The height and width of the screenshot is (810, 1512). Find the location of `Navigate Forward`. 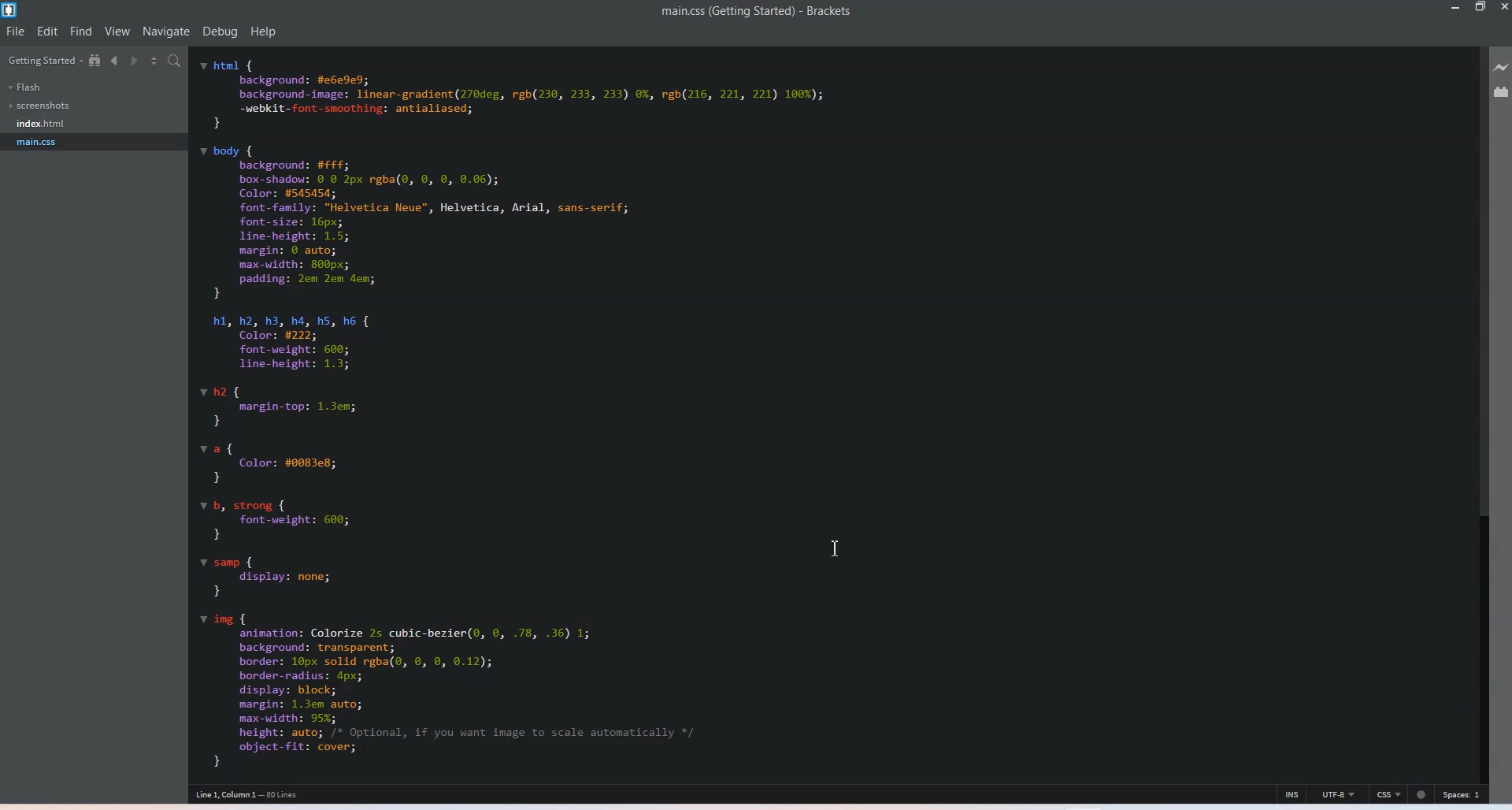

Navigate Forward is located at coordinates (137, 61).